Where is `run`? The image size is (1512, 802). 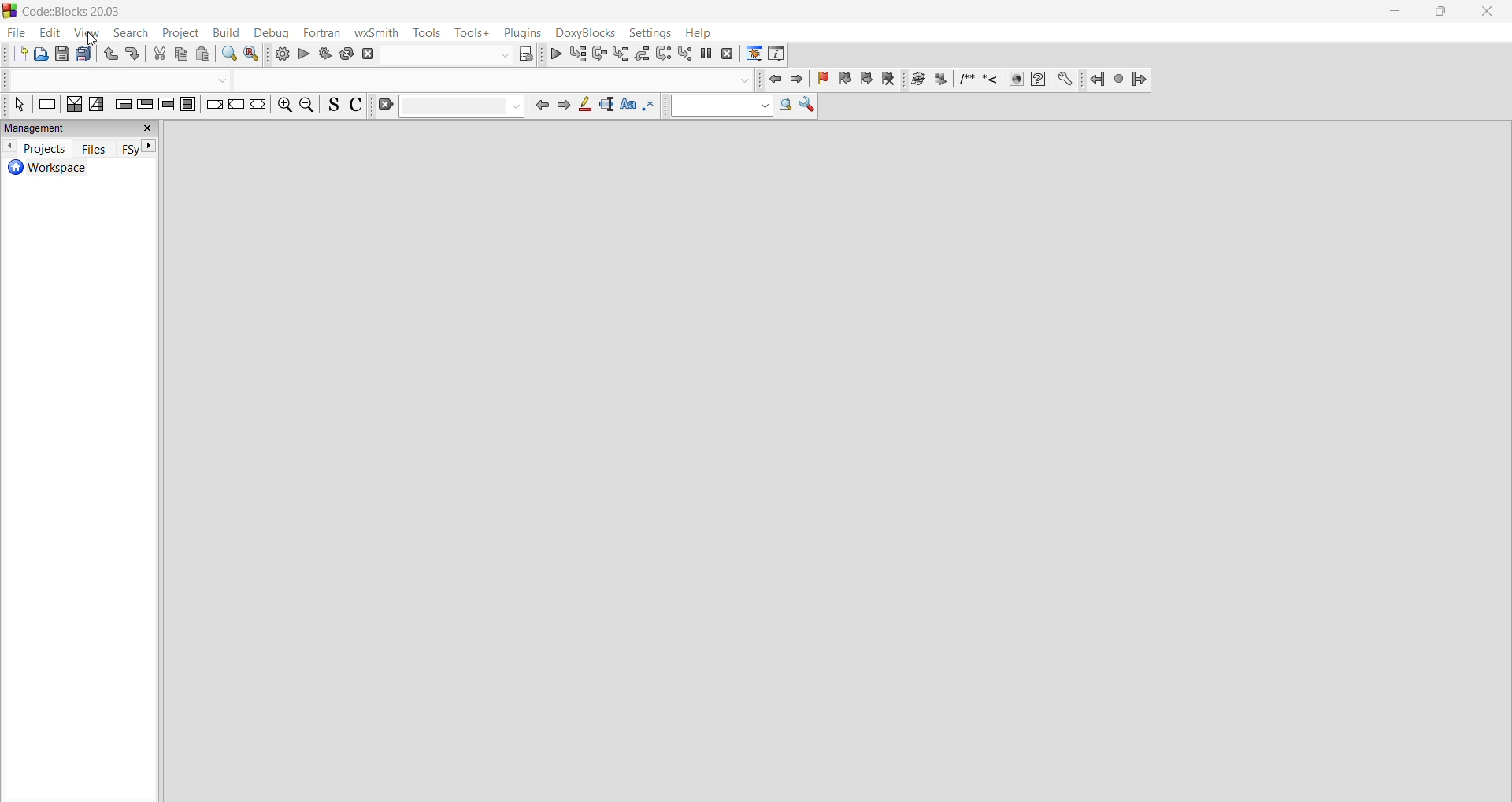 run is located at coordinates (304, 56).